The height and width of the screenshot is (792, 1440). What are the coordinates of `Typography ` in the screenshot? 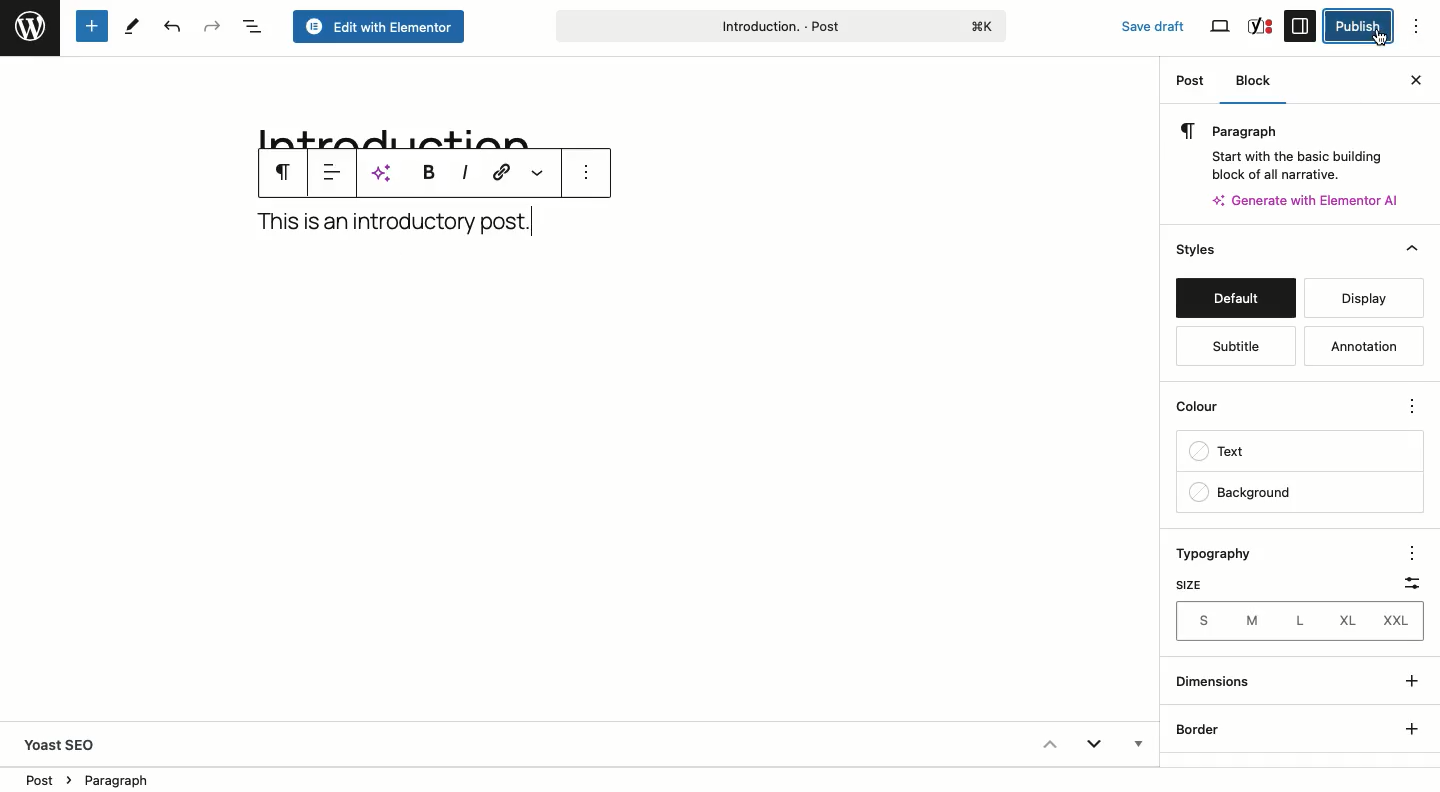 It's located at (1223, 555).